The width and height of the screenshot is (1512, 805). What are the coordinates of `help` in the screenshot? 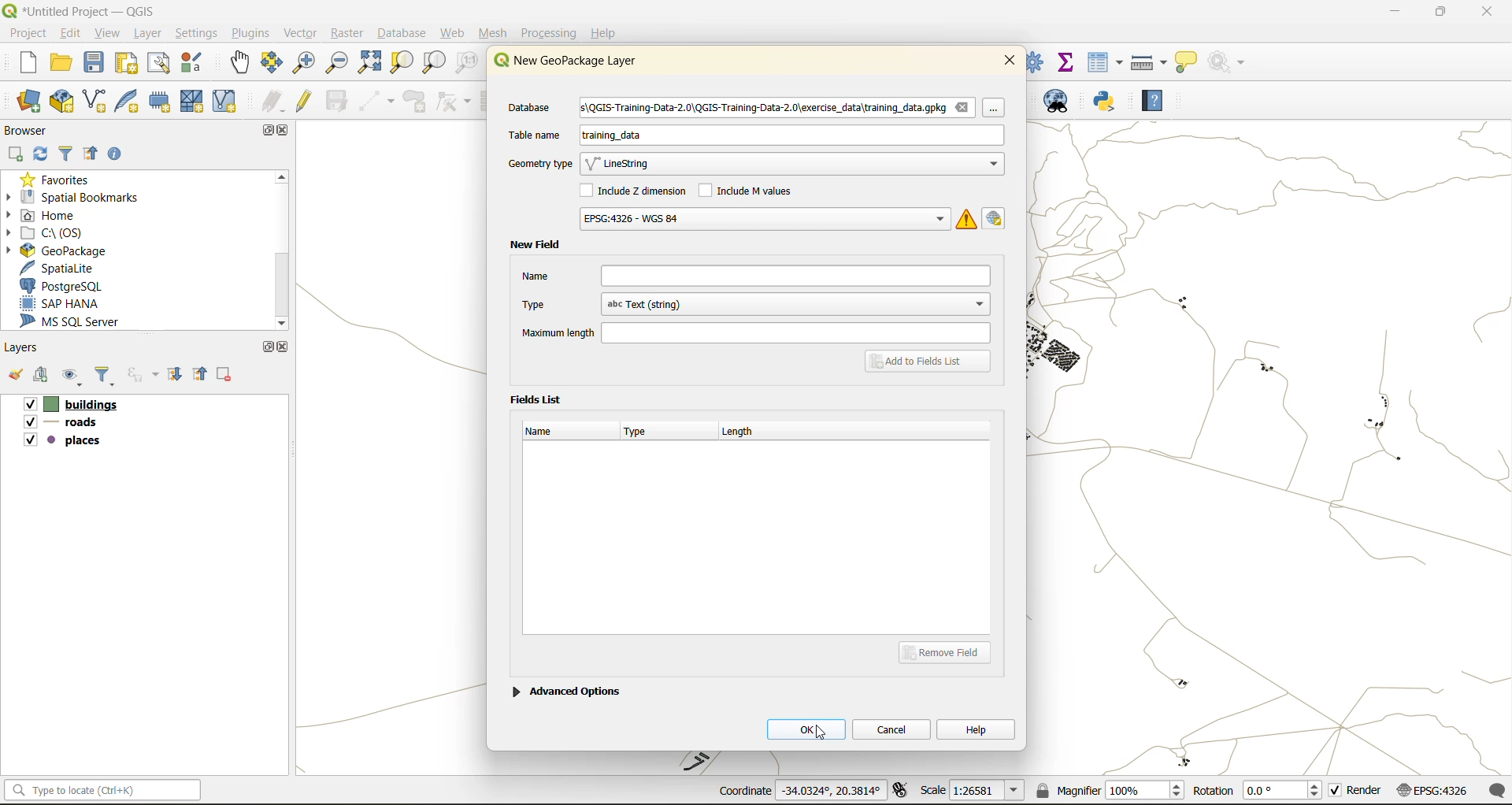 It's located at (1152, 103).